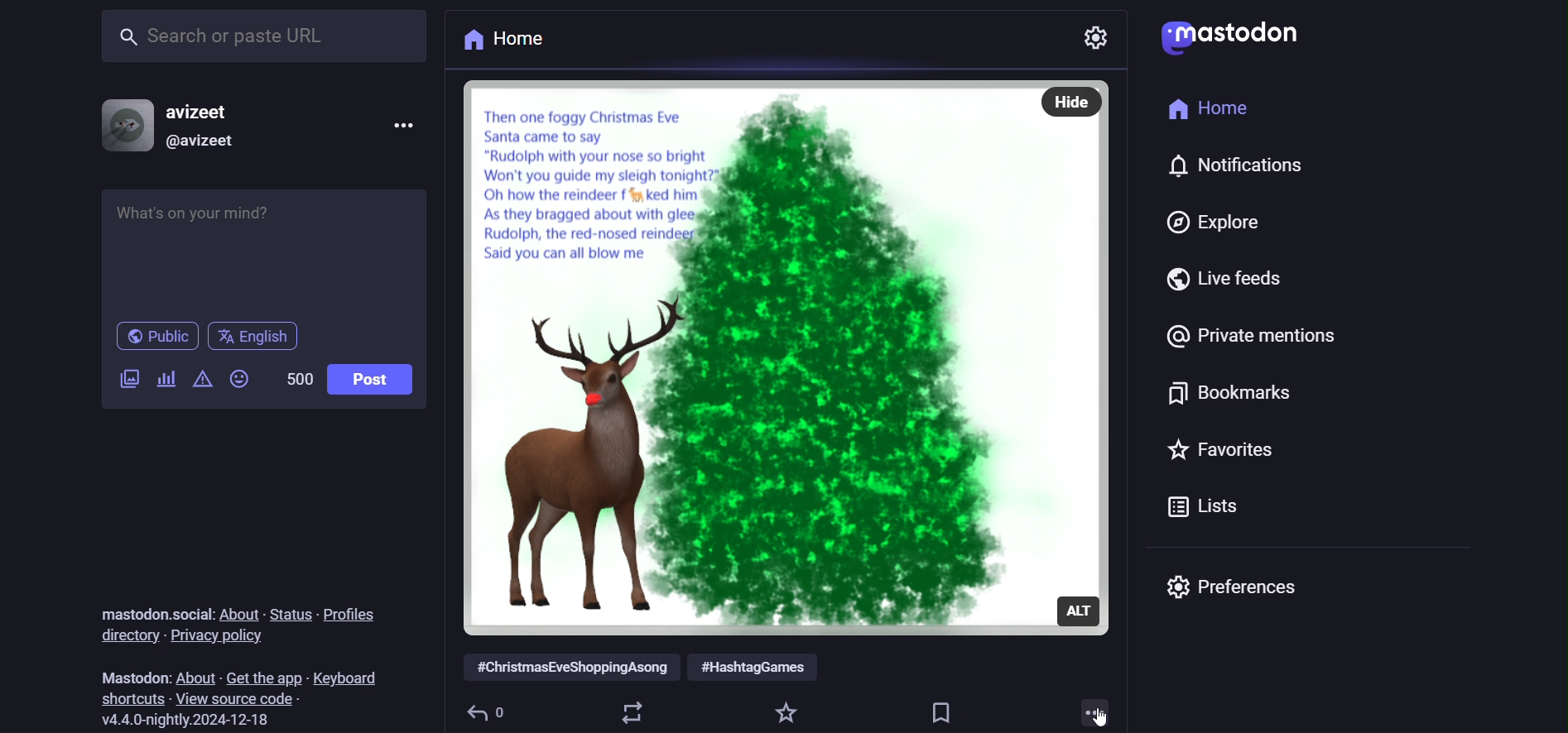  What do you see at coordinates (254, 338) in the screenshot?
I see `english` at bounding box center [254, 338].